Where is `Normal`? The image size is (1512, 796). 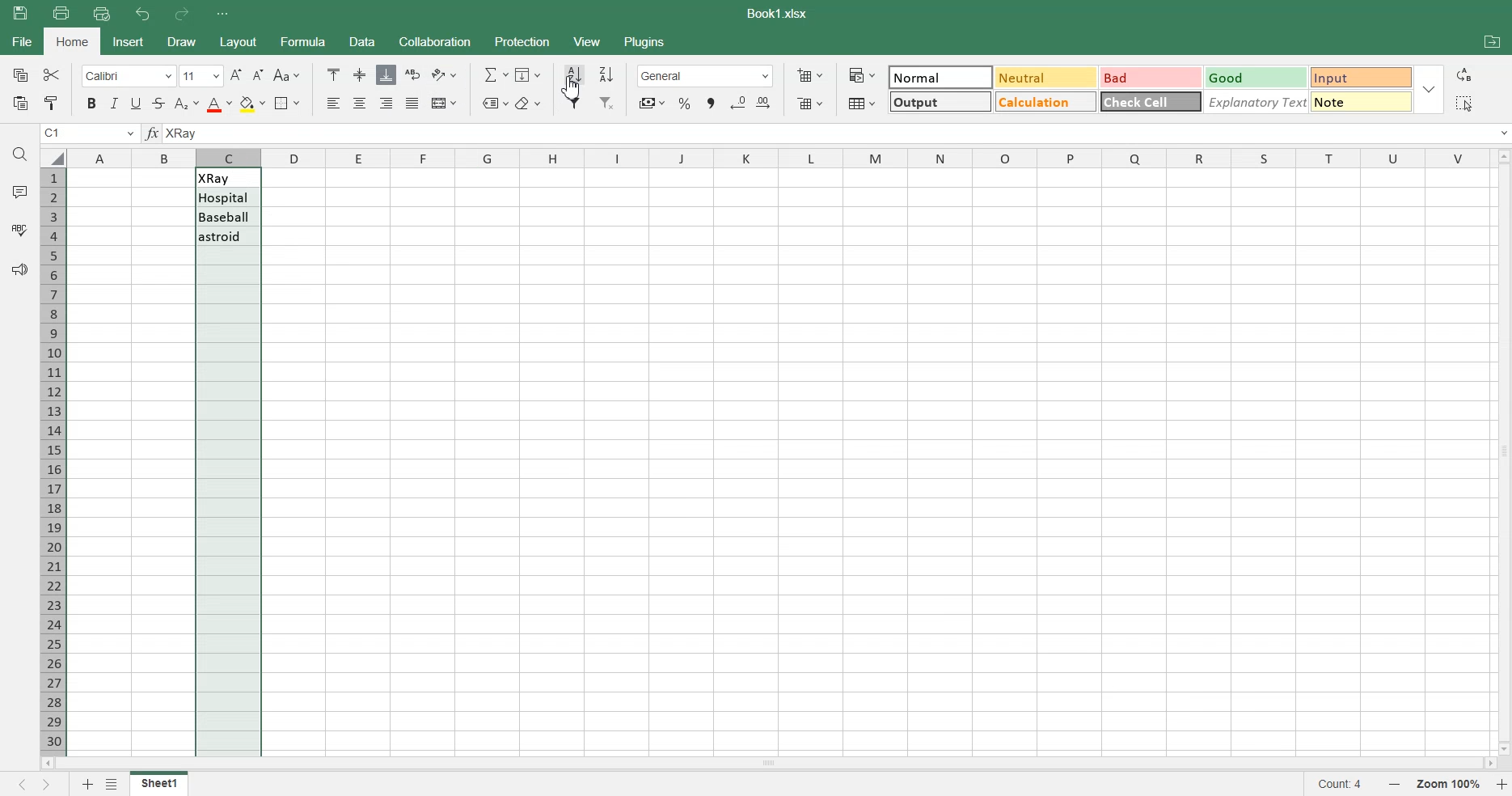
Normal is located at coordinates (940, 74).